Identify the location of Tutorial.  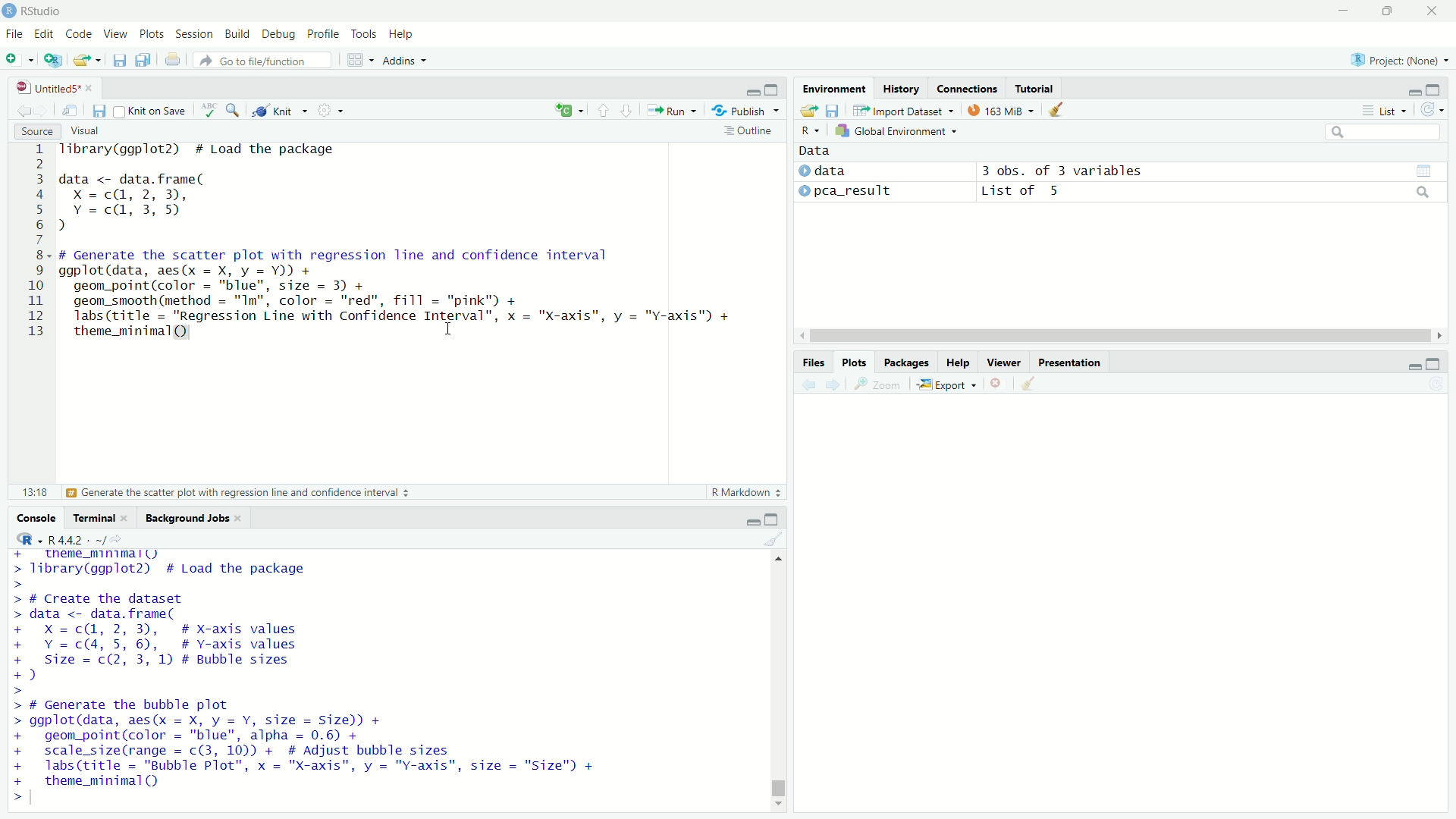
(1034, 88).